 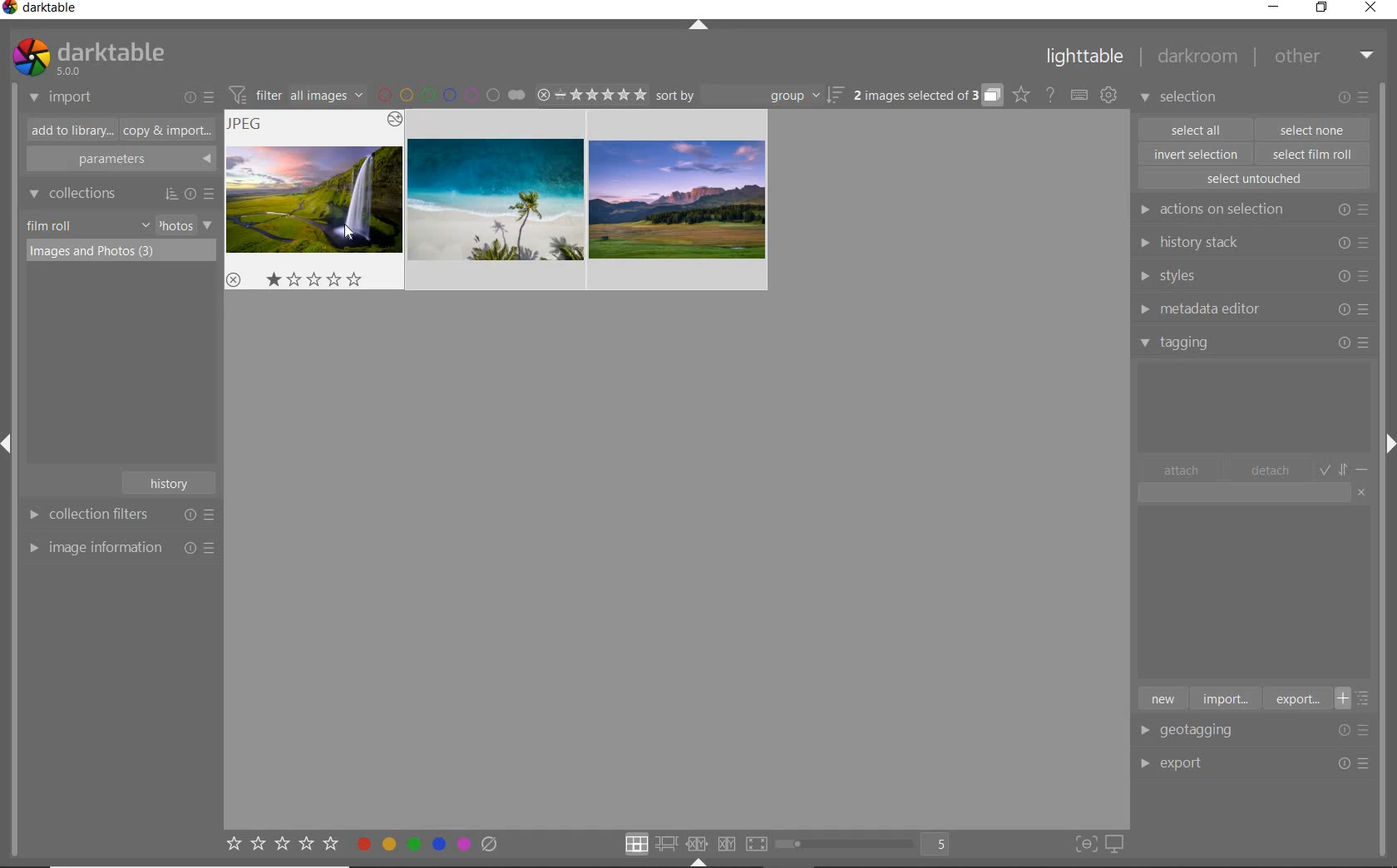 I want to click on parameters, so click(x=119, y=160).